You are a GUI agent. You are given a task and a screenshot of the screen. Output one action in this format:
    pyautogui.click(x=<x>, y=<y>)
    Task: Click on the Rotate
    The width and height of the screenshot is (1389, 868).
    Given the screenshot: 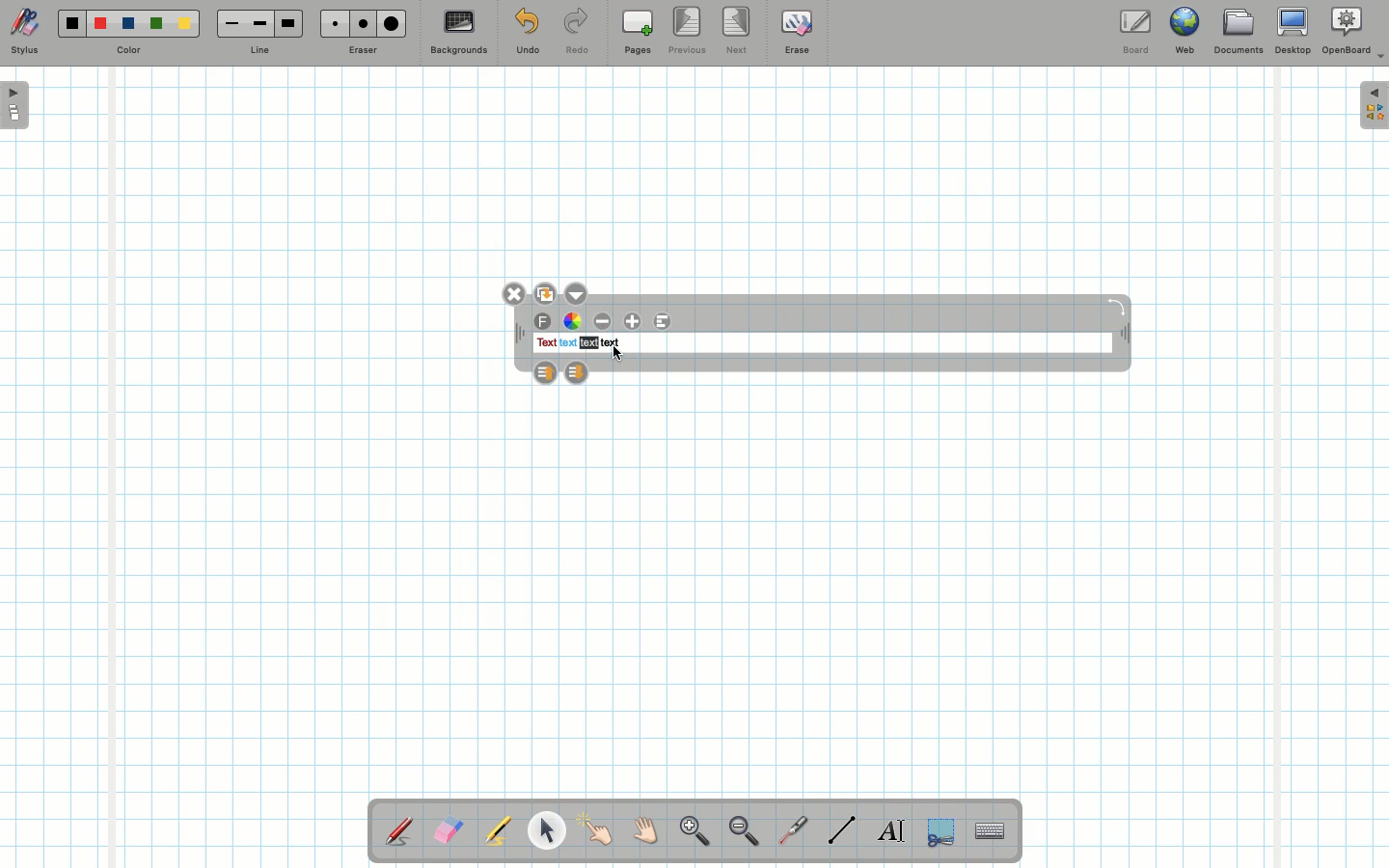 What is the action you would take?
    pyautogui.click(x=1116, y=306)
    